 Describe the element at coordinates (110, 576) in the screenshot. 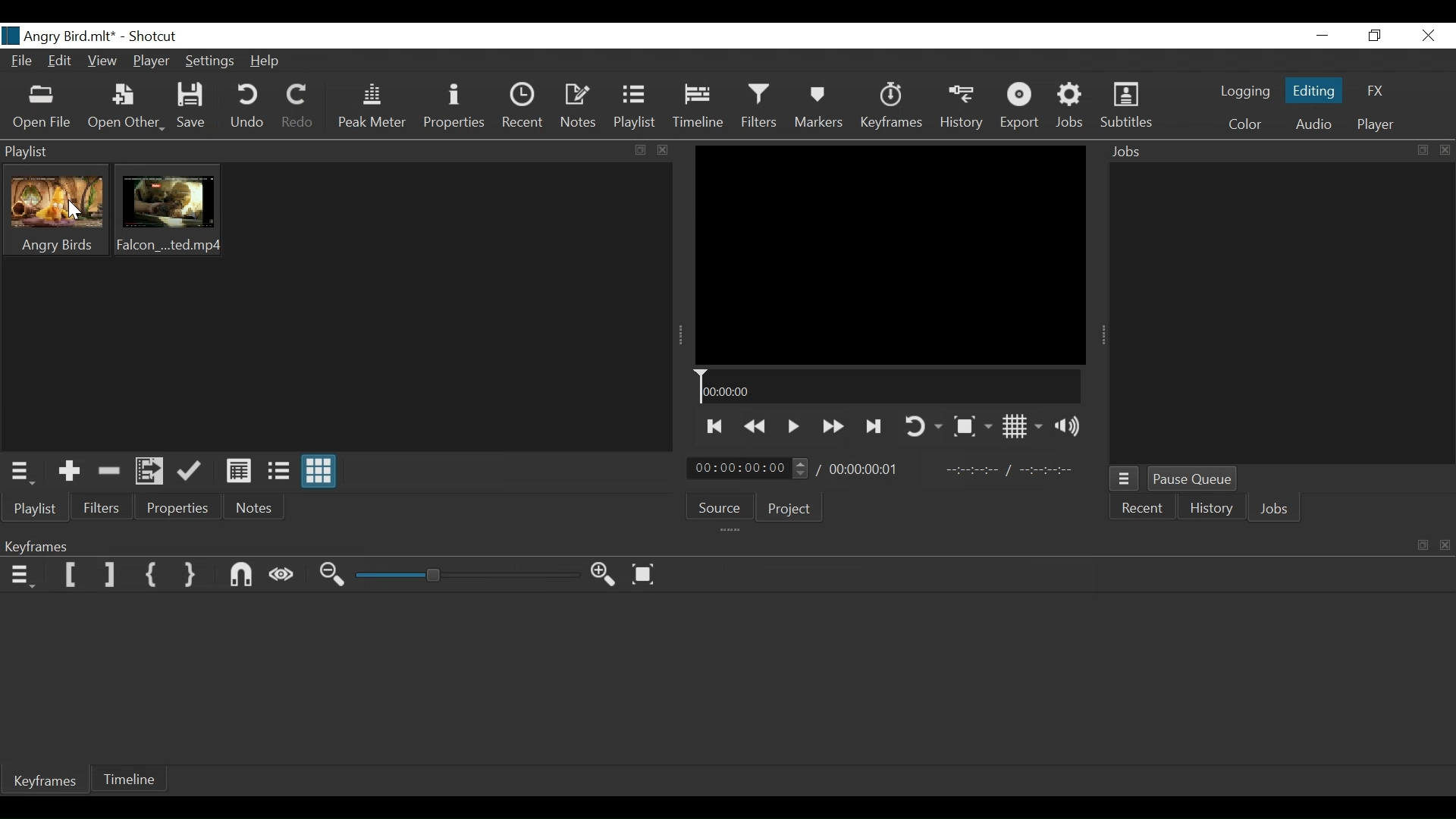

I see `Set Filter last` at that location.